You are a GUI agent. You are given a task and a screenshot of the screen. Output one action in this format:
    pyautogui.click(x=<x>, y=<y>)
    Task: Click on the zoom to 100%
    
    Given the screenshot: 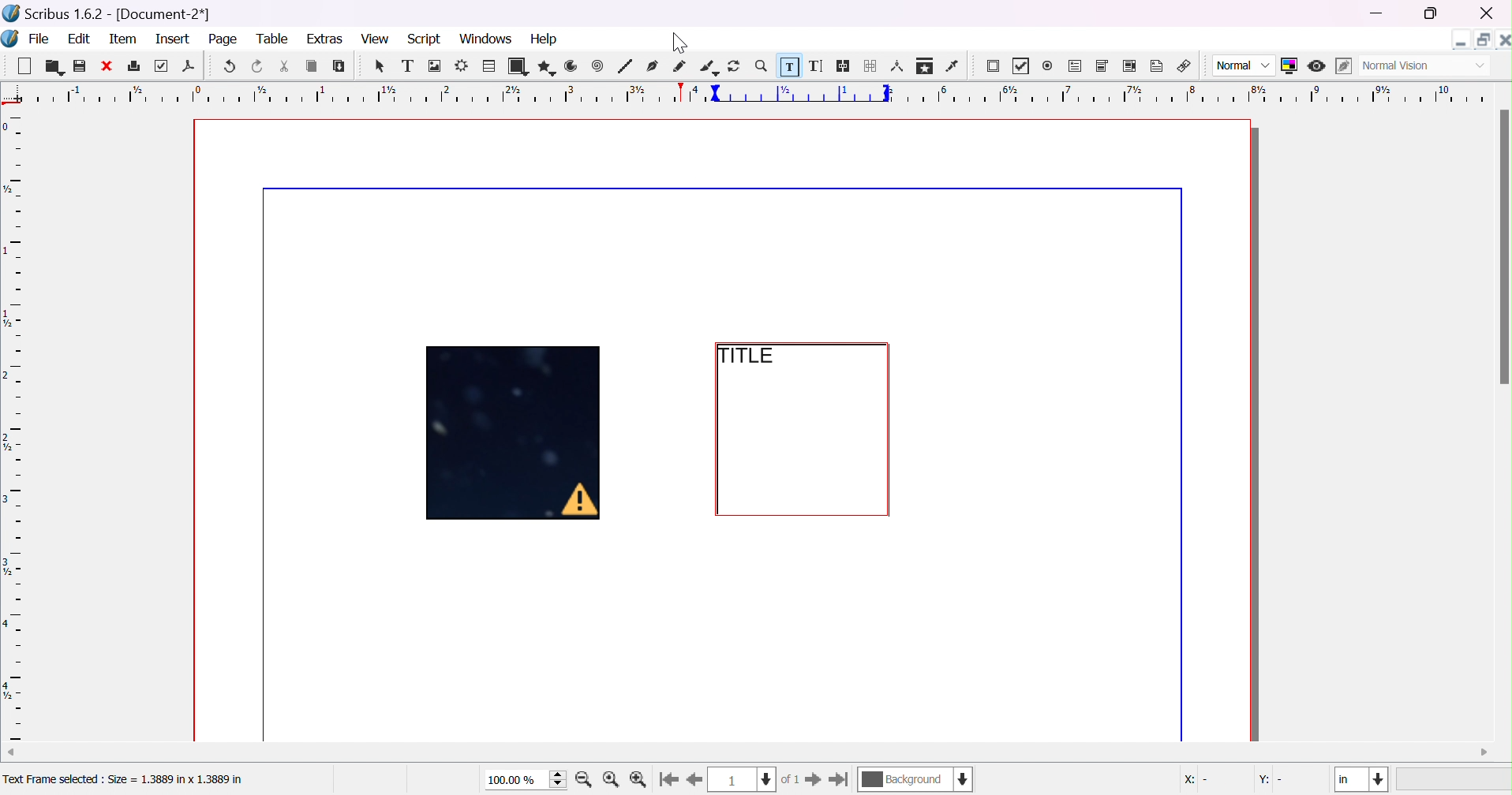 What is the action you would take?
    pyautogui.click(x=612, y=780)
    